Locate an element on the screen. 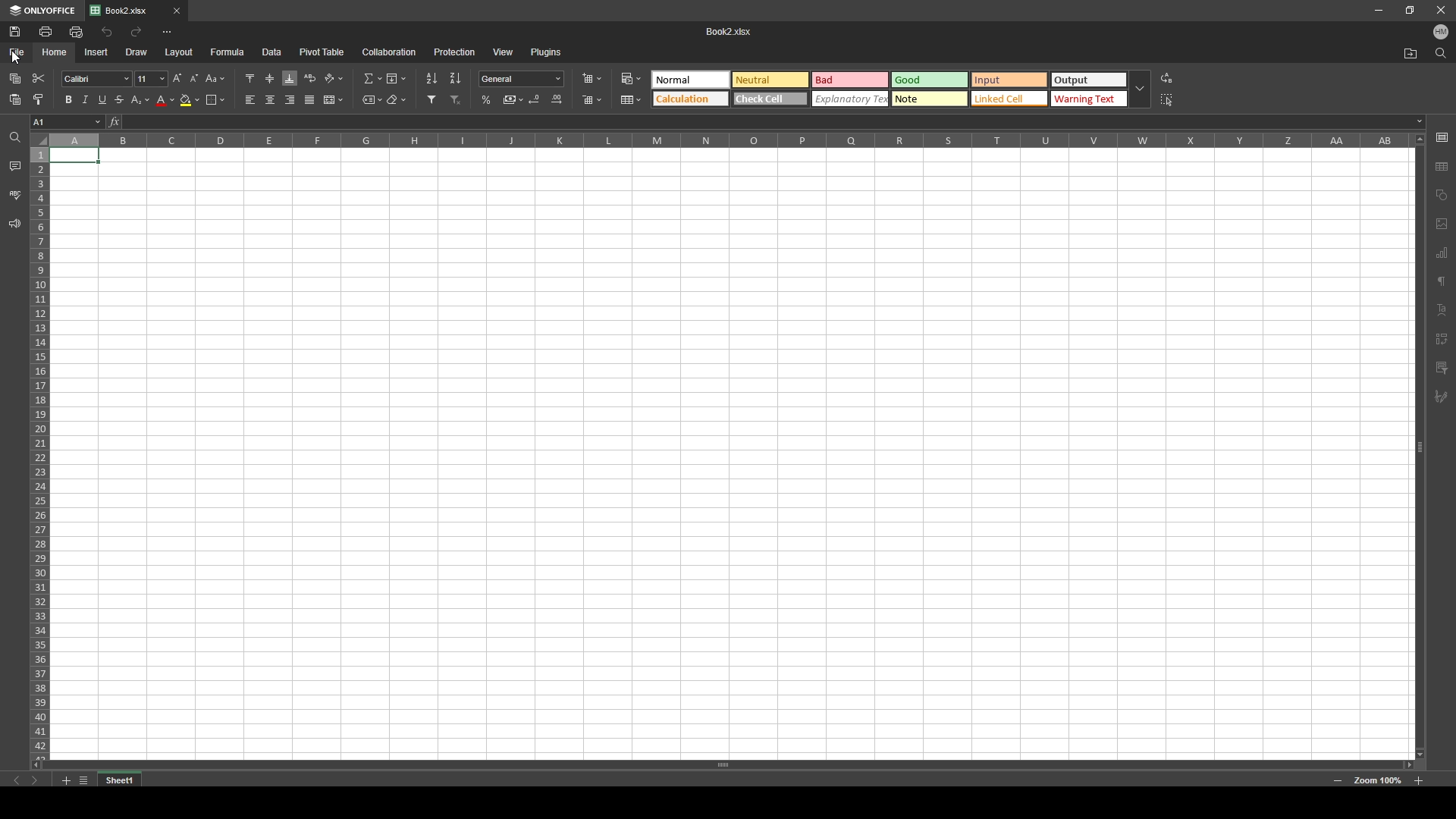  formula bar is located at coordinates (767, 120).